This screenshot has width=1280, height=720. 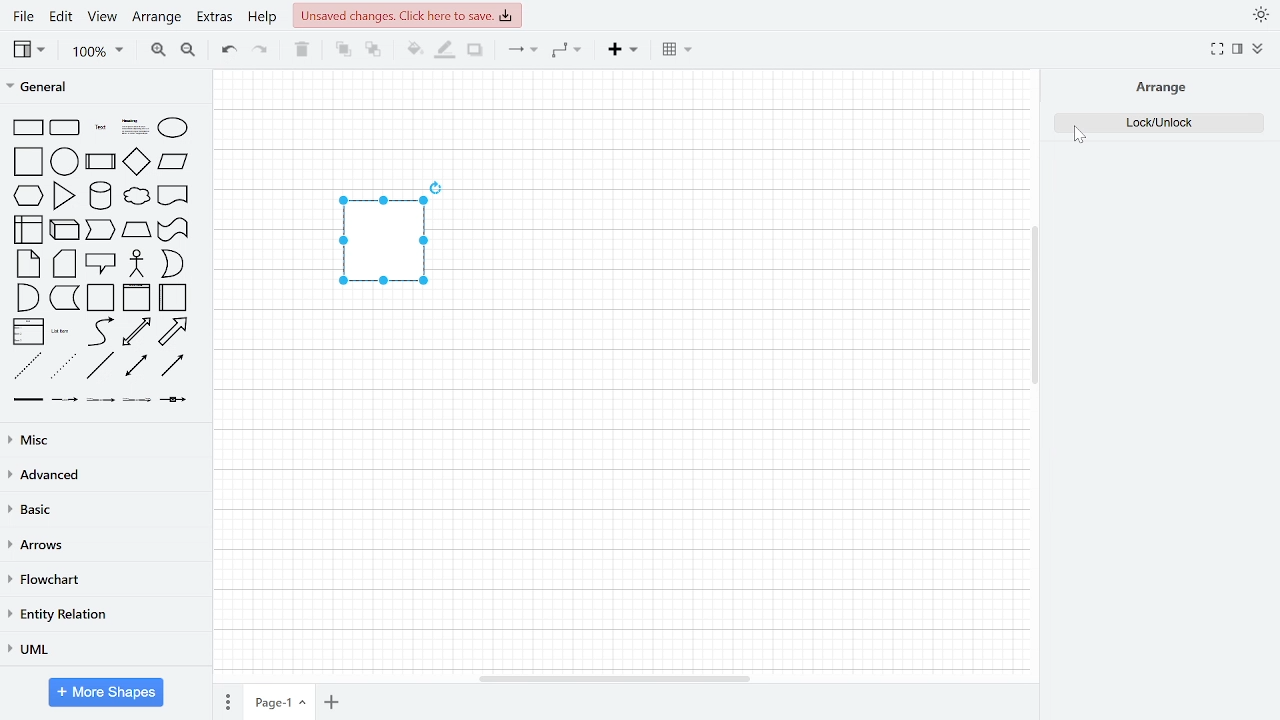 I want to click on data storage, so click(x=65, y=297).